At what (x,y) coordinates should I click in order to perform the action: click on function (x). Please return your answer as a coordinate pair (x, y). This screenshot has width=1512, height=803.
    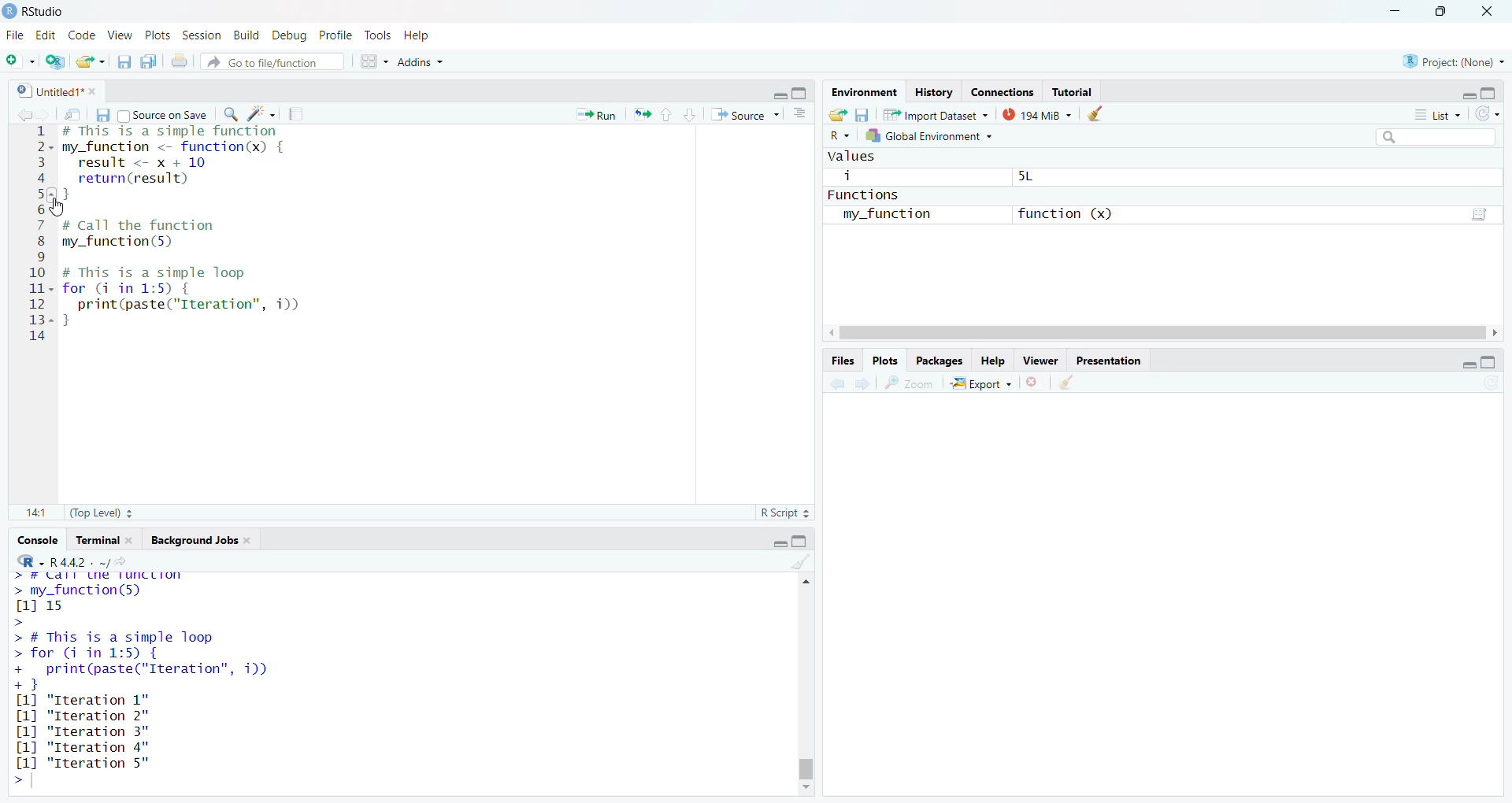
    Looking at the image, I should click on (1063, 213).